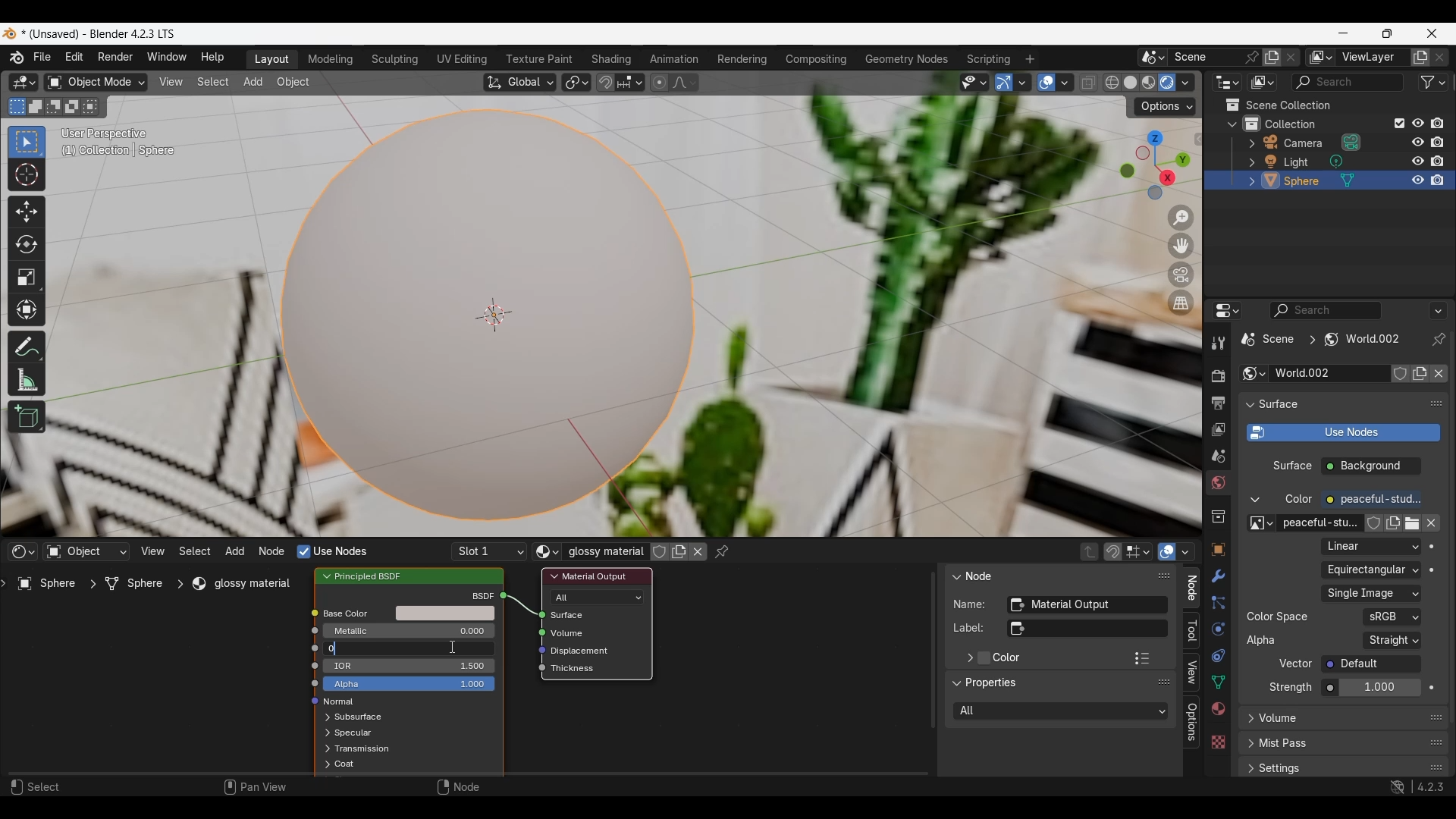 This screenshot has width=1456, height=819. I want to click on Viewport shading: rendered, so click(1167, 82).